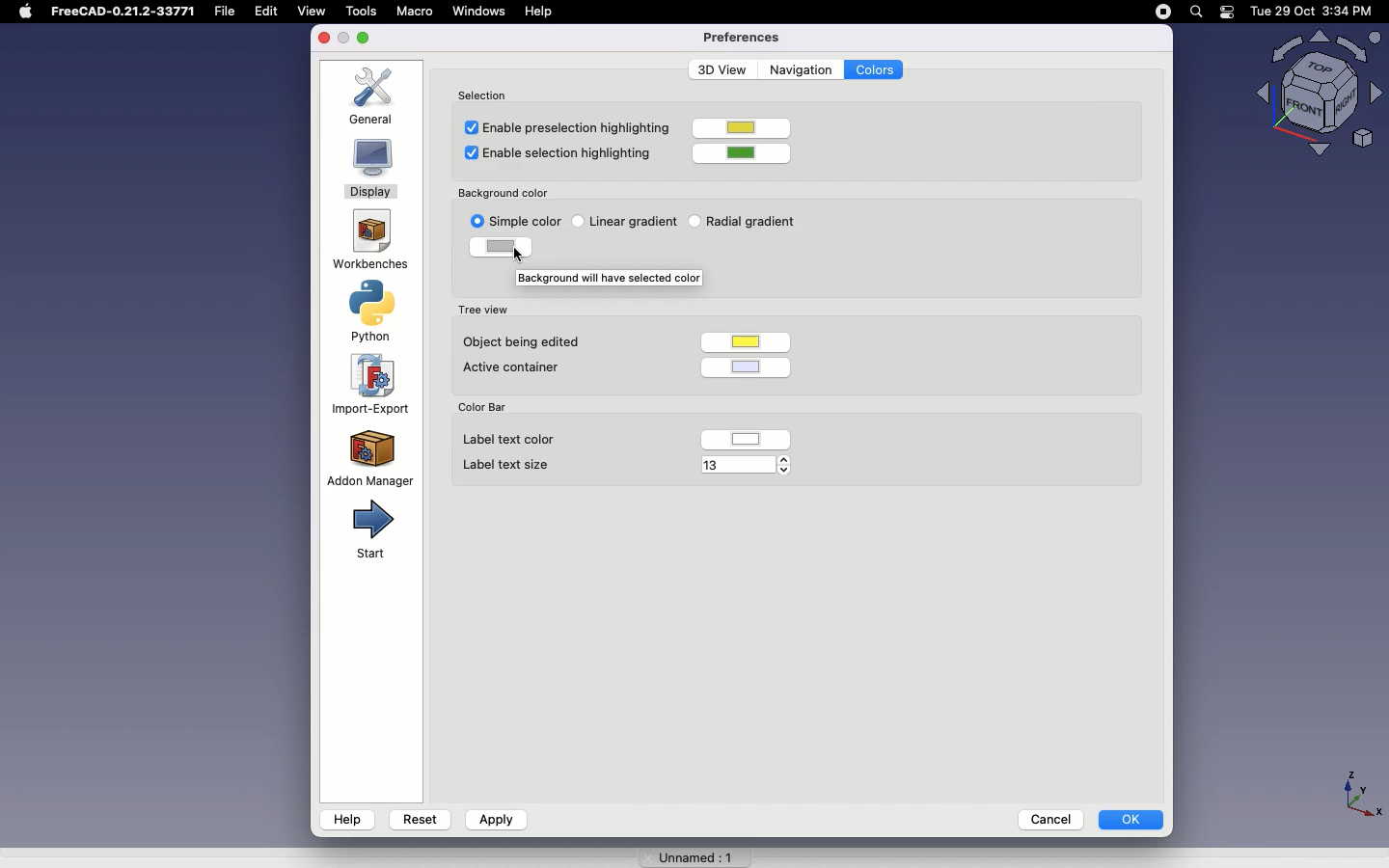  What do you see at coordinates (748, 151) in the screenshot?
I see `color` at bounding box center [748, 151].